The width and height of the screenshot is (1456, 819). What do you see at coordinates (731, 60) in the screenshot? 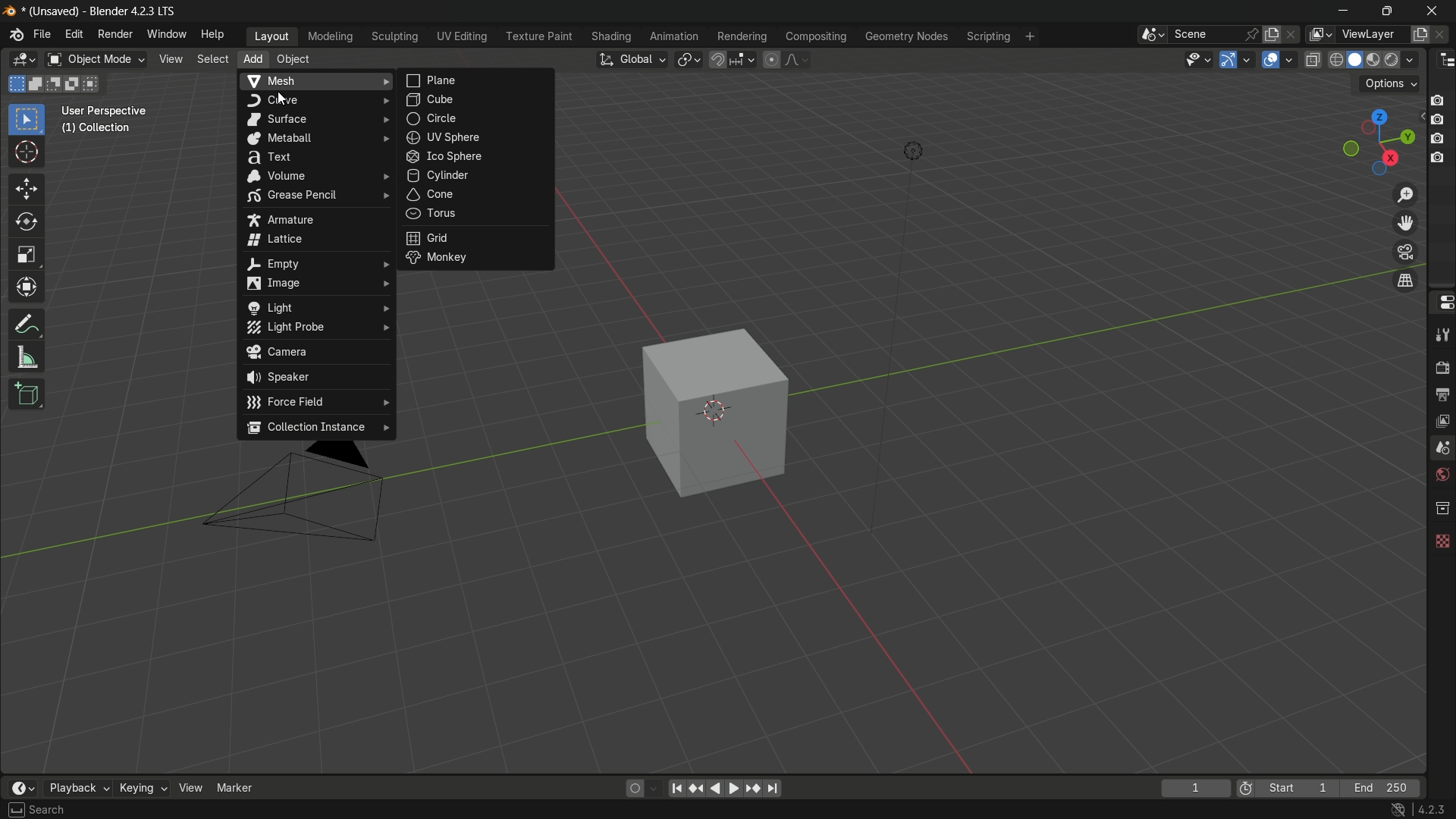
I see `snap` at bounding box center [731, 60].